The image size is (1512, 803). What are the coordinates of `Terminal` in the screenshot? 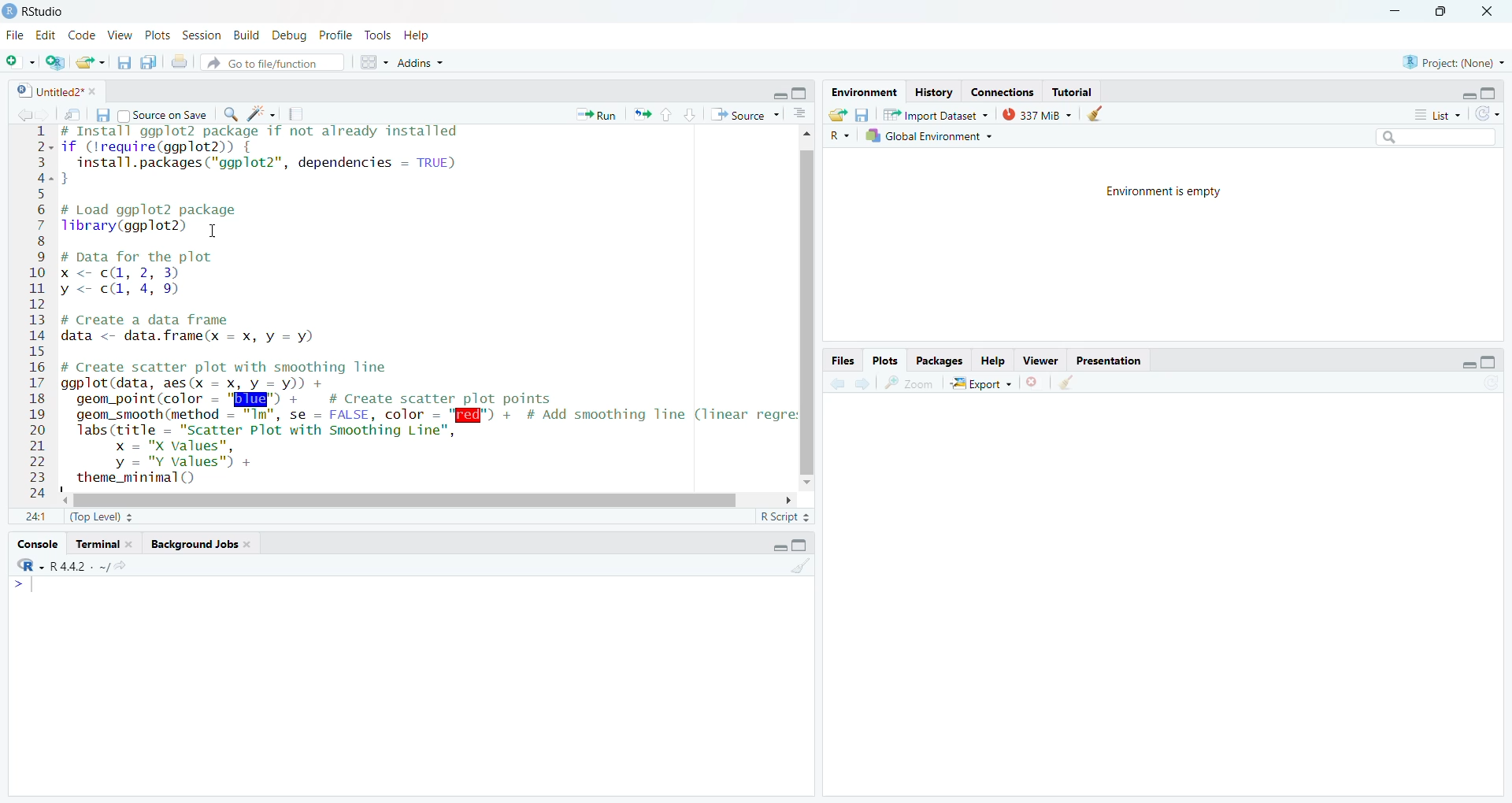 It's located at (106, 544).